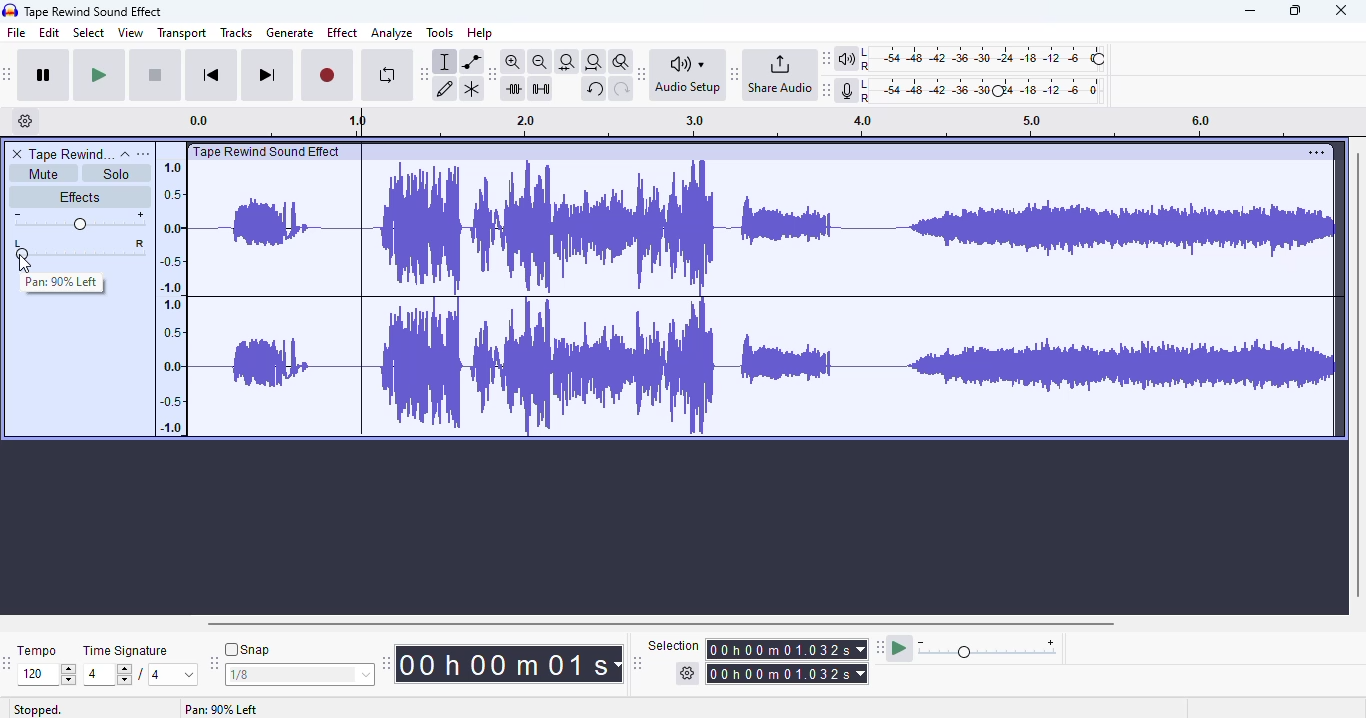 The height and width of the screenshot is (718, 1366). What do you see at coordinates (115, 174) in the screenshot?
I see `solo` at bounding box center [115, 174].